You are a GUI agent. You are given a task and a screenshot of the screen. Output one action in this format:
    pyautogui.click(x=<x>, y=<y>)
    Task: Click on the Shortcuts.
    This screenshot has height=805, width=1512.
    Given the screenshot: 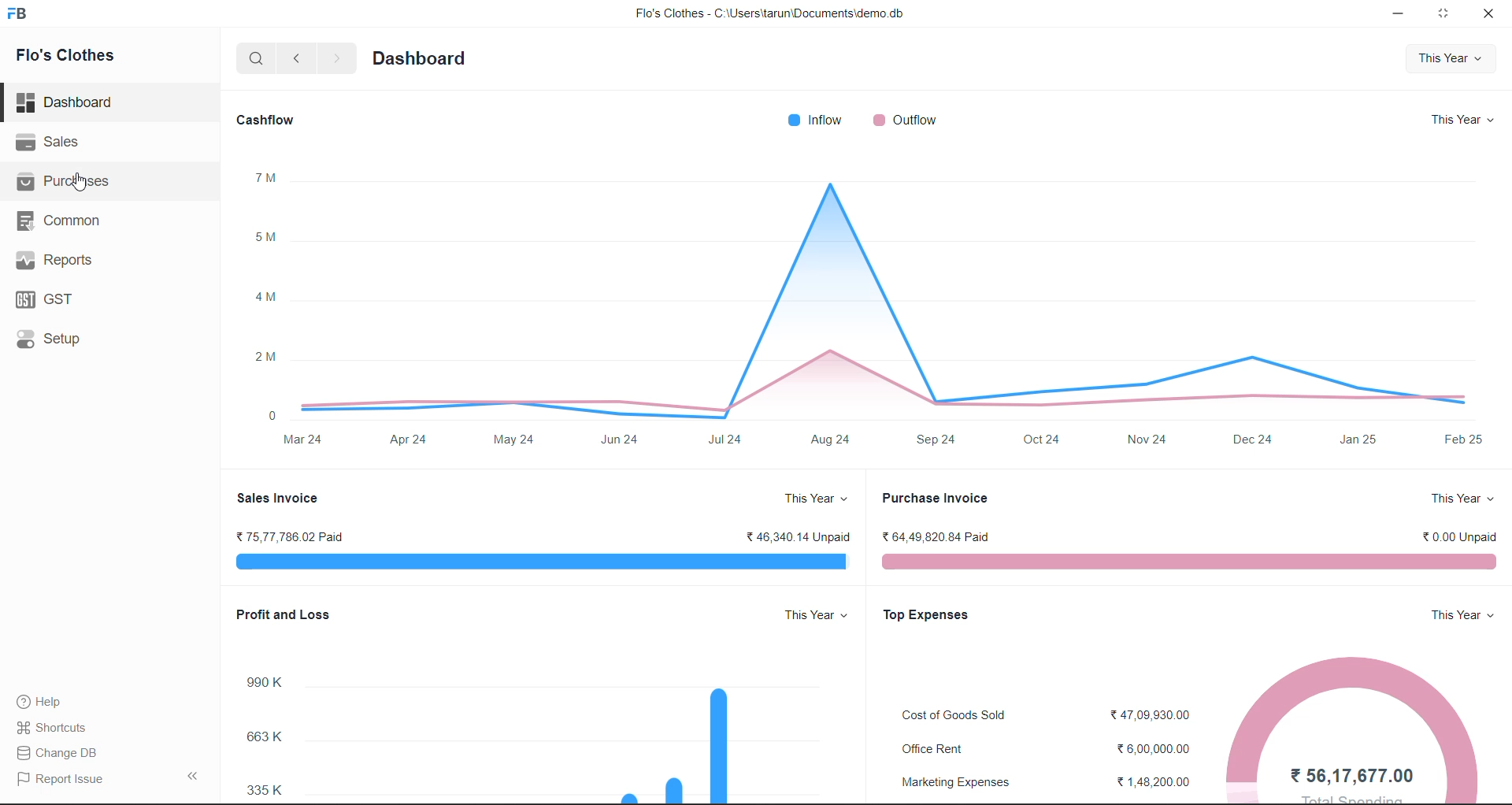 What is the action you would take?
    pyautogui.click(x=57, y=726)
    